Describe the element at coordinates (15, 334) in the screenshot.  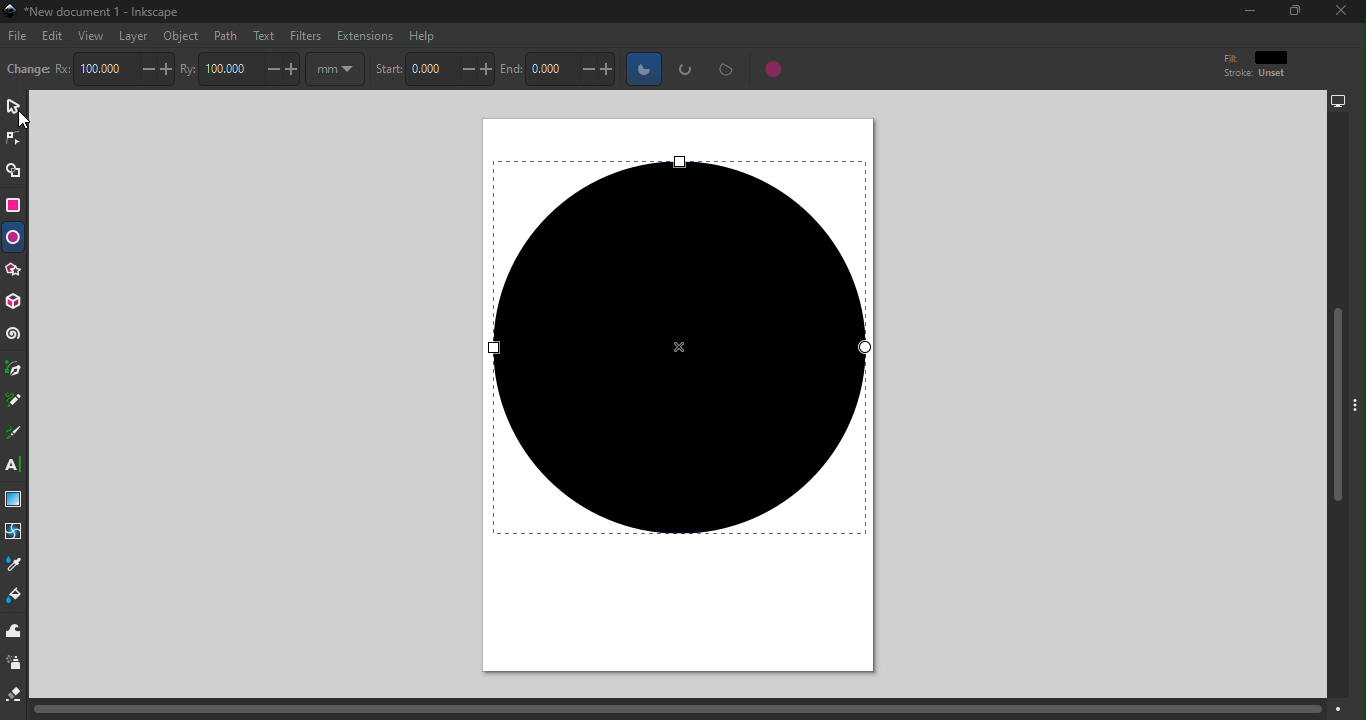
I see `Spiral tool` at that location.